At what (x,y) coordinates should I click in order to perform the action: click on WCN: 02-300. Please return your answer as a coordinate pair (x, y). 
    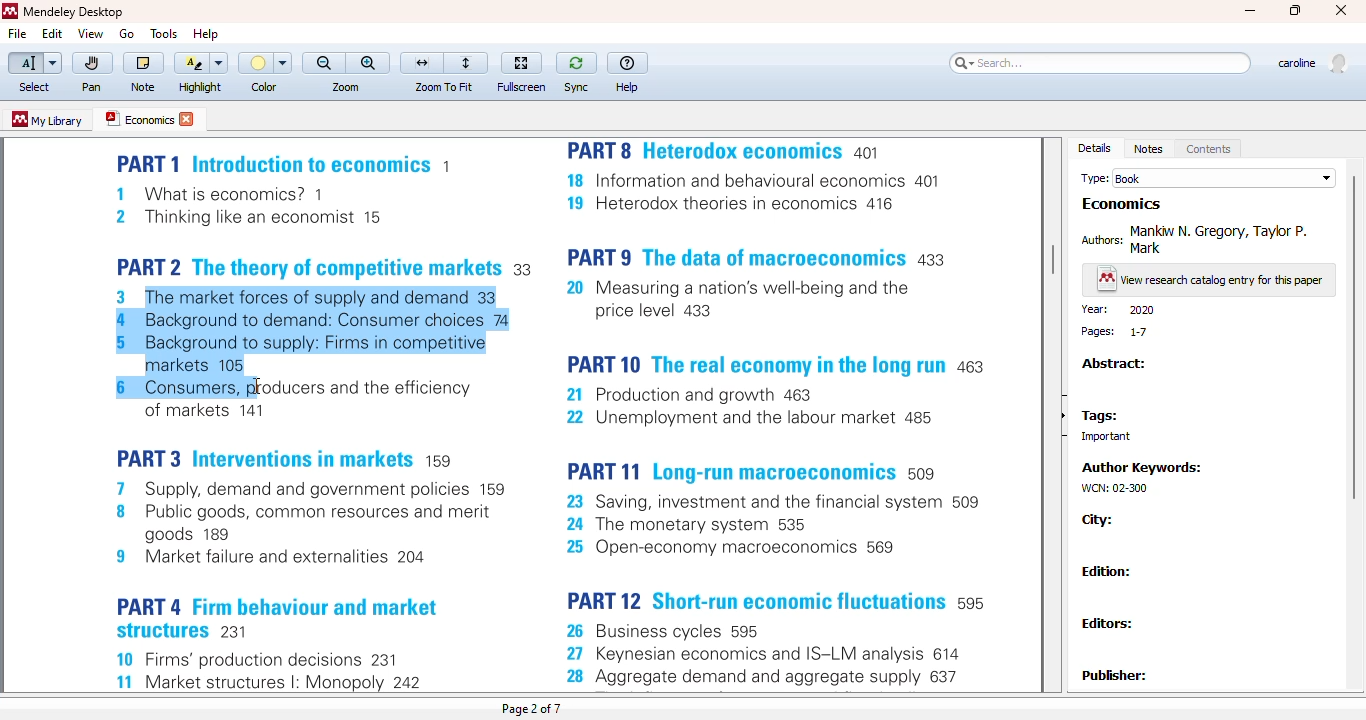
    Looking at the image, I should click on (1112, 488).